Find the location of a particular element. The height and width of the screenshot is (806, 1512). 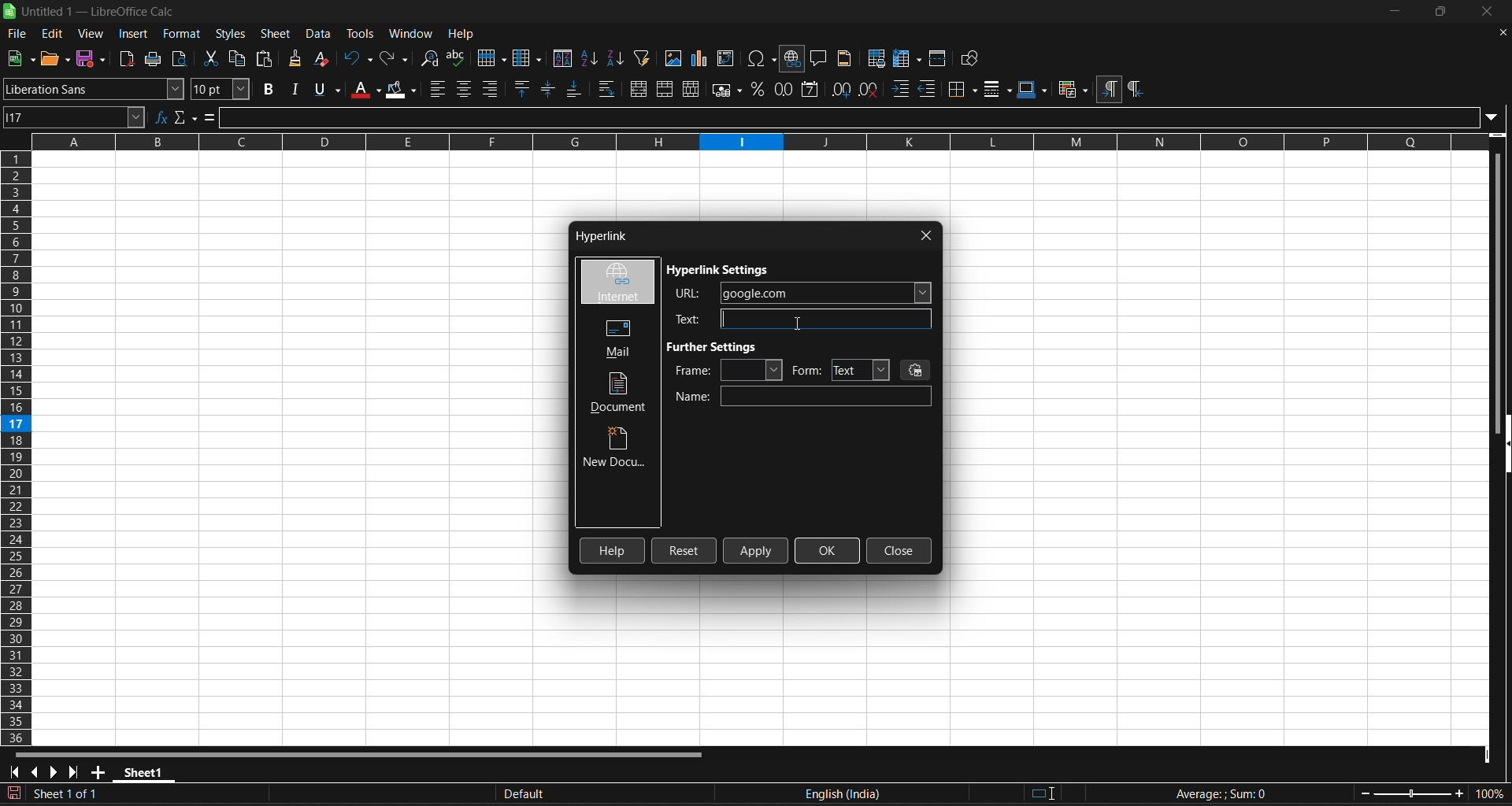

show draw functions is located at coordinates (973, 58).